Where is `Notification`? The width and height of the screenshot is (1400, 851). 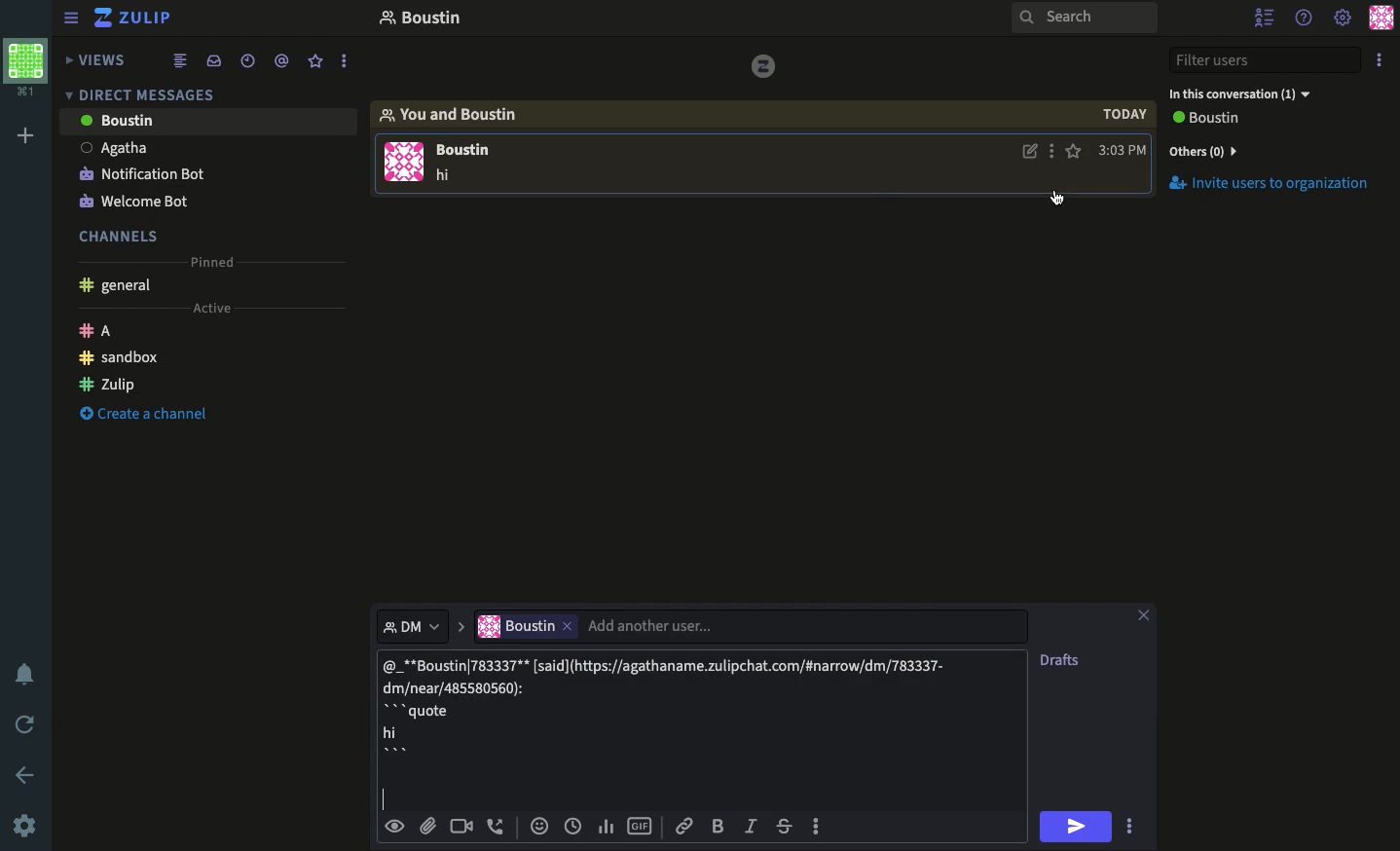
Notification is located at coordinates (25, 675).